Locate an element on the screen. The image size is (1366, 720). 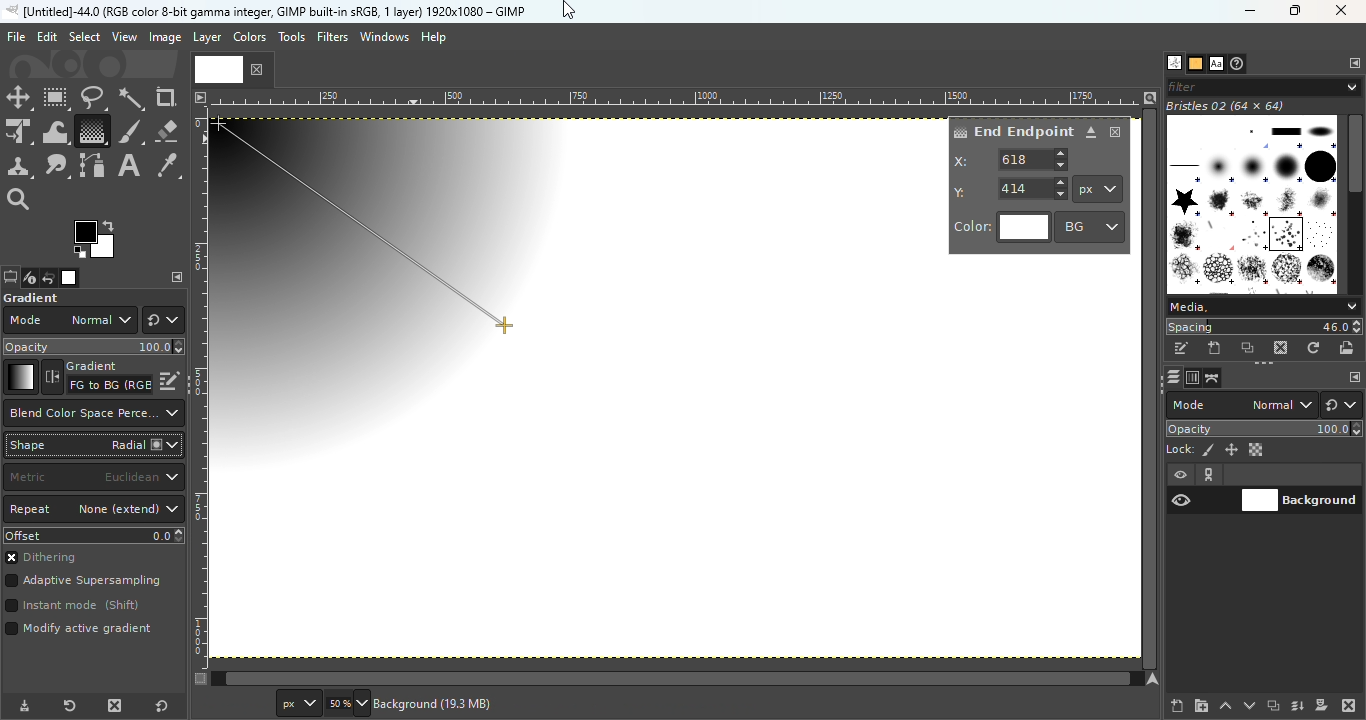
Layer is located at coordinates (206, 38).